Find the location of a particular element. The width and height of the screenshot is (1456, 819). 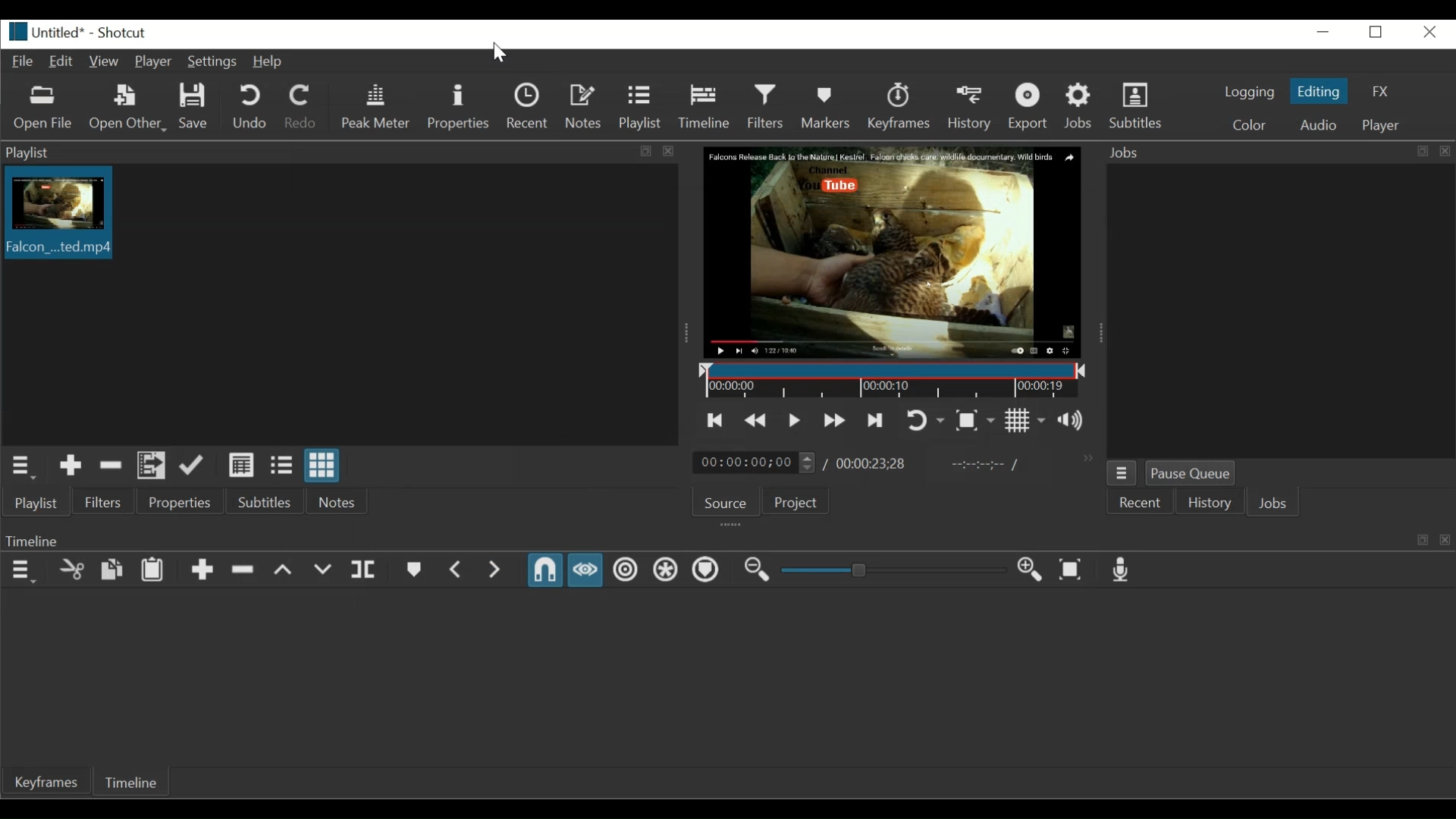

00:00:00:00(Current position) is located at coordinates (754, 462).